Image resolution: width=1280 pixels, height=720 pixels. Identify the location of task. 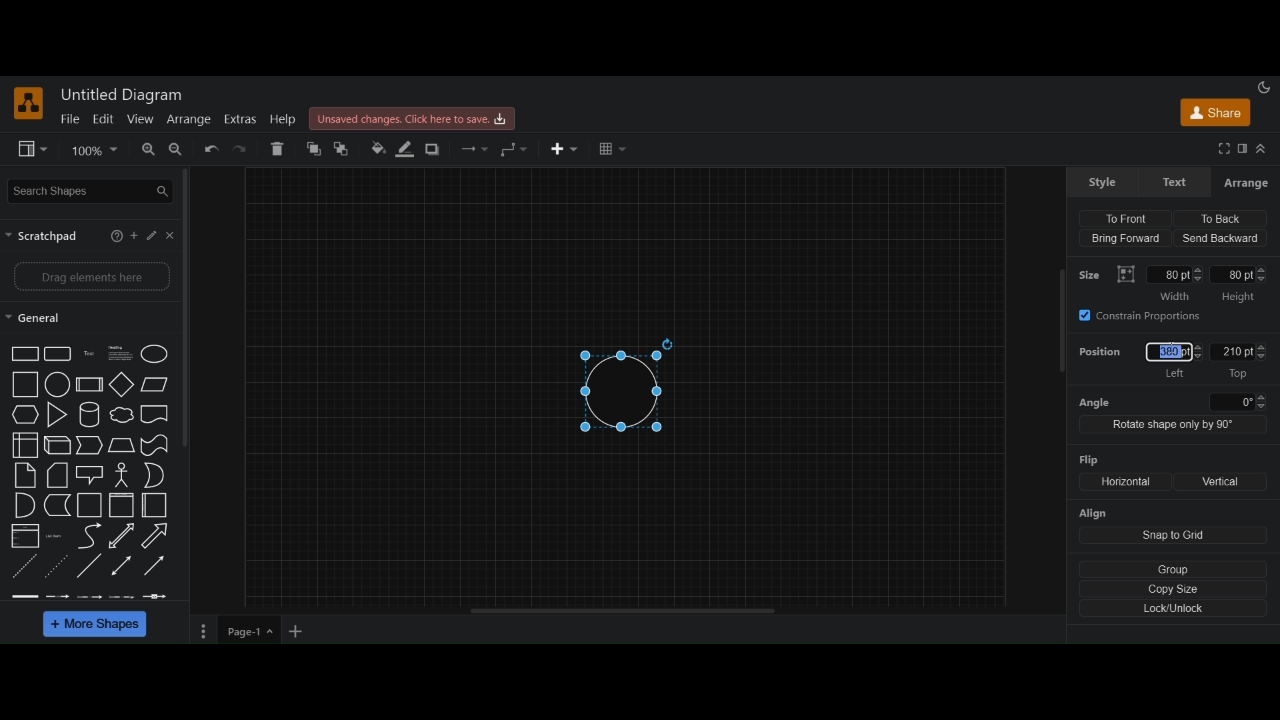
(91, 353).